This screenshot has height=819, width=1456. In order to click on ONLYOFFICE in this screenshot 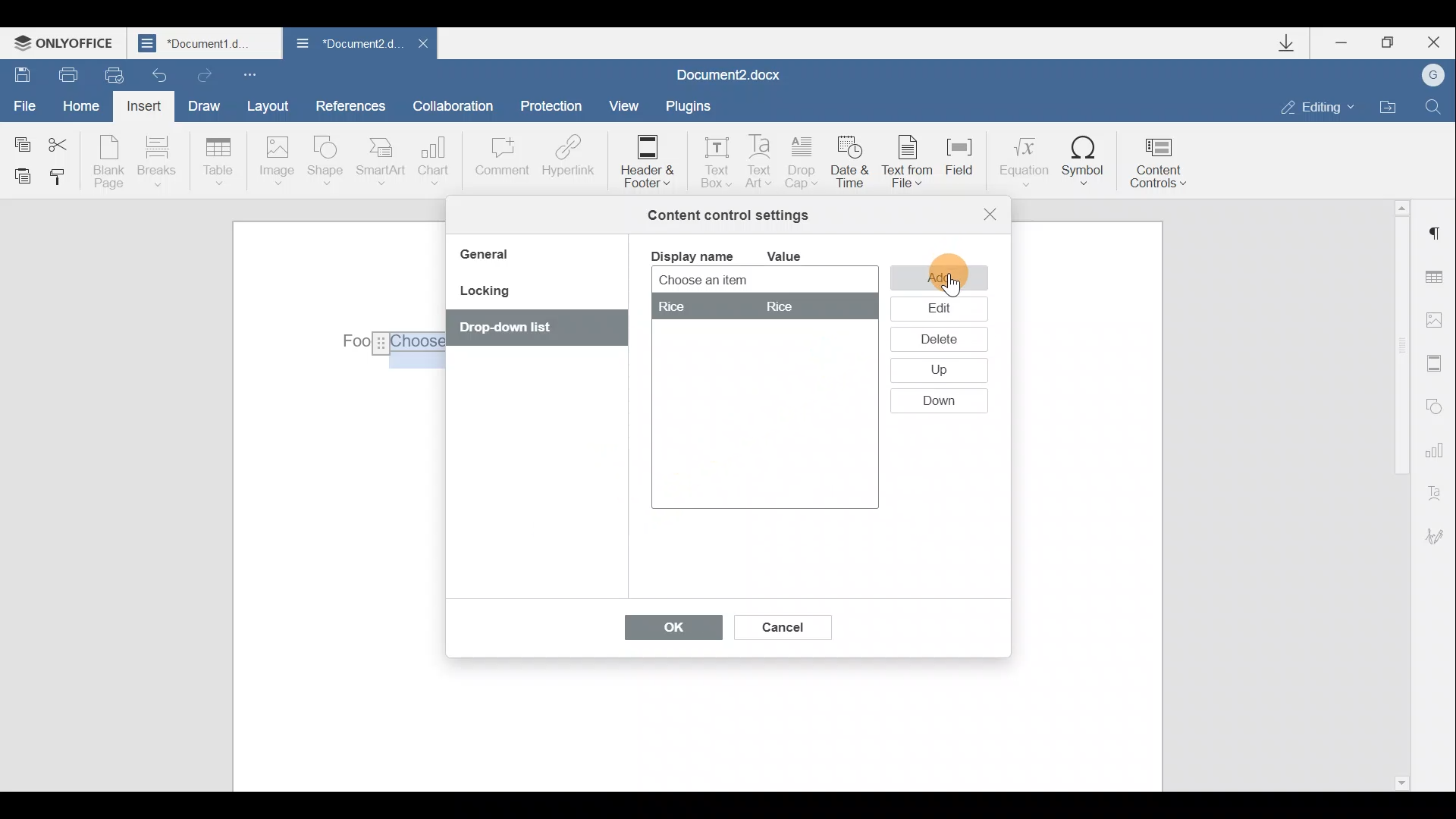, I will do `click(67, 42)`.